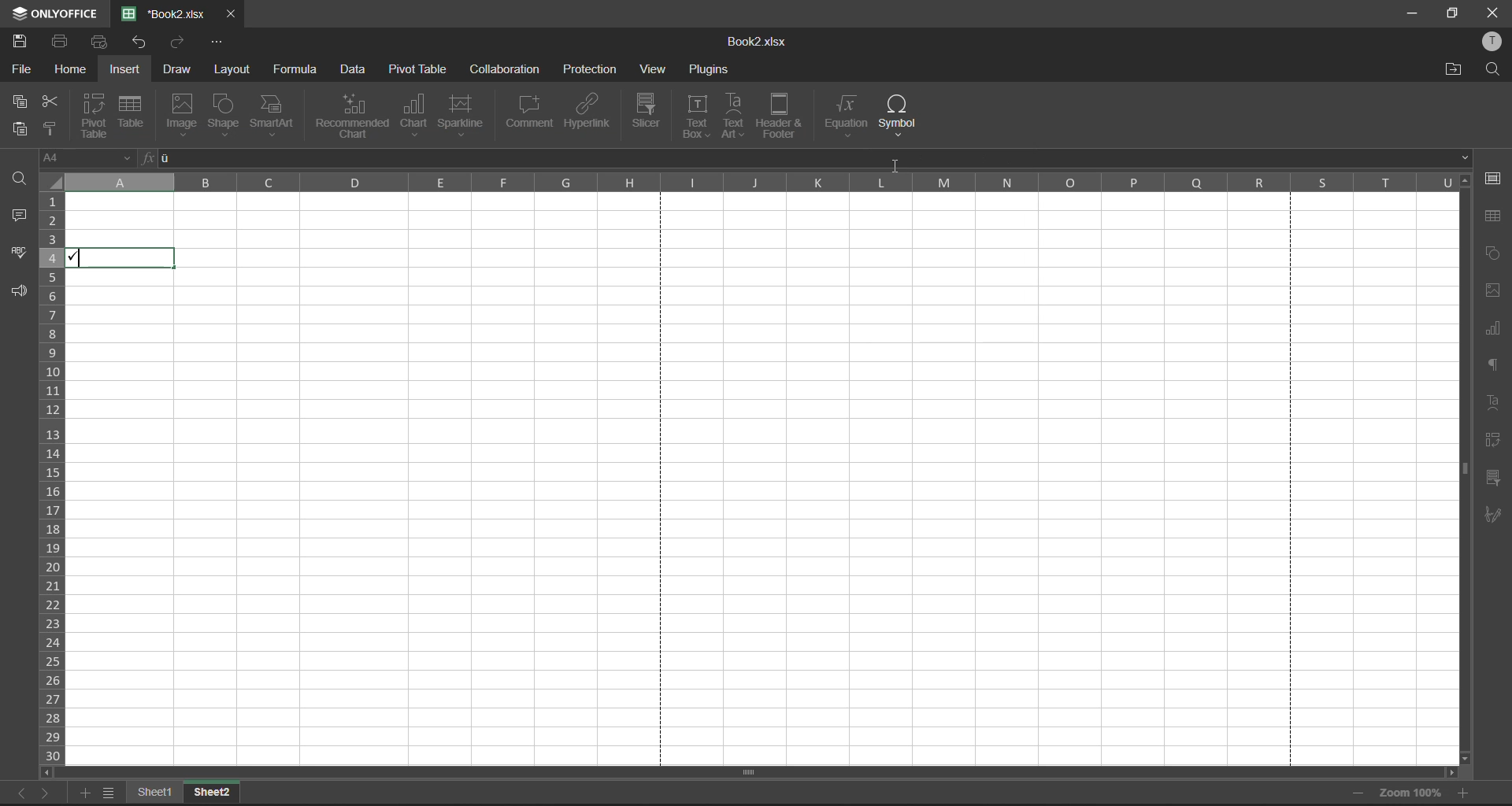  I want to click on shape, so click(222, 115).